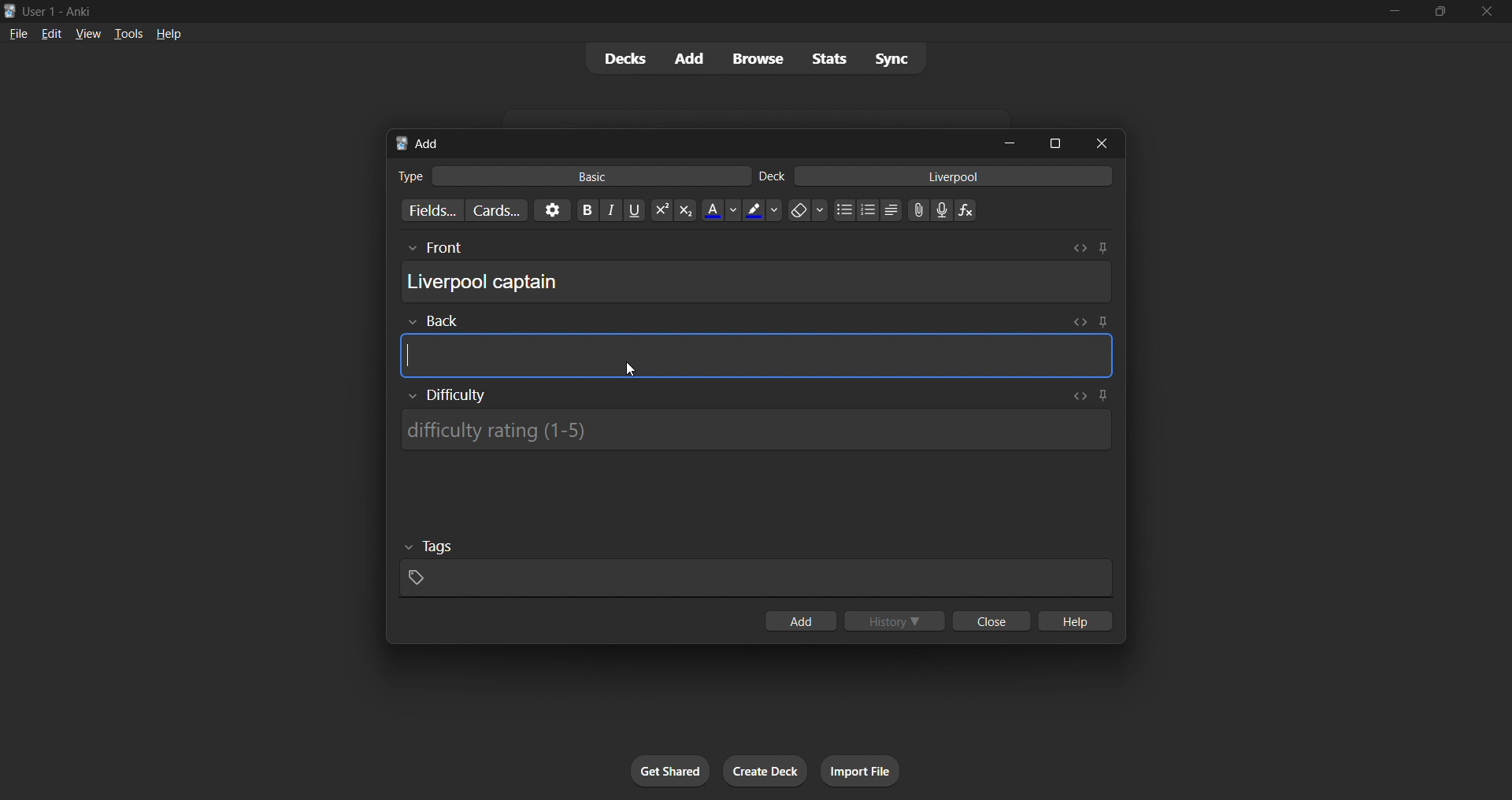 The image size is (1512, 800). I want to click on create deck, so click(765, 771).